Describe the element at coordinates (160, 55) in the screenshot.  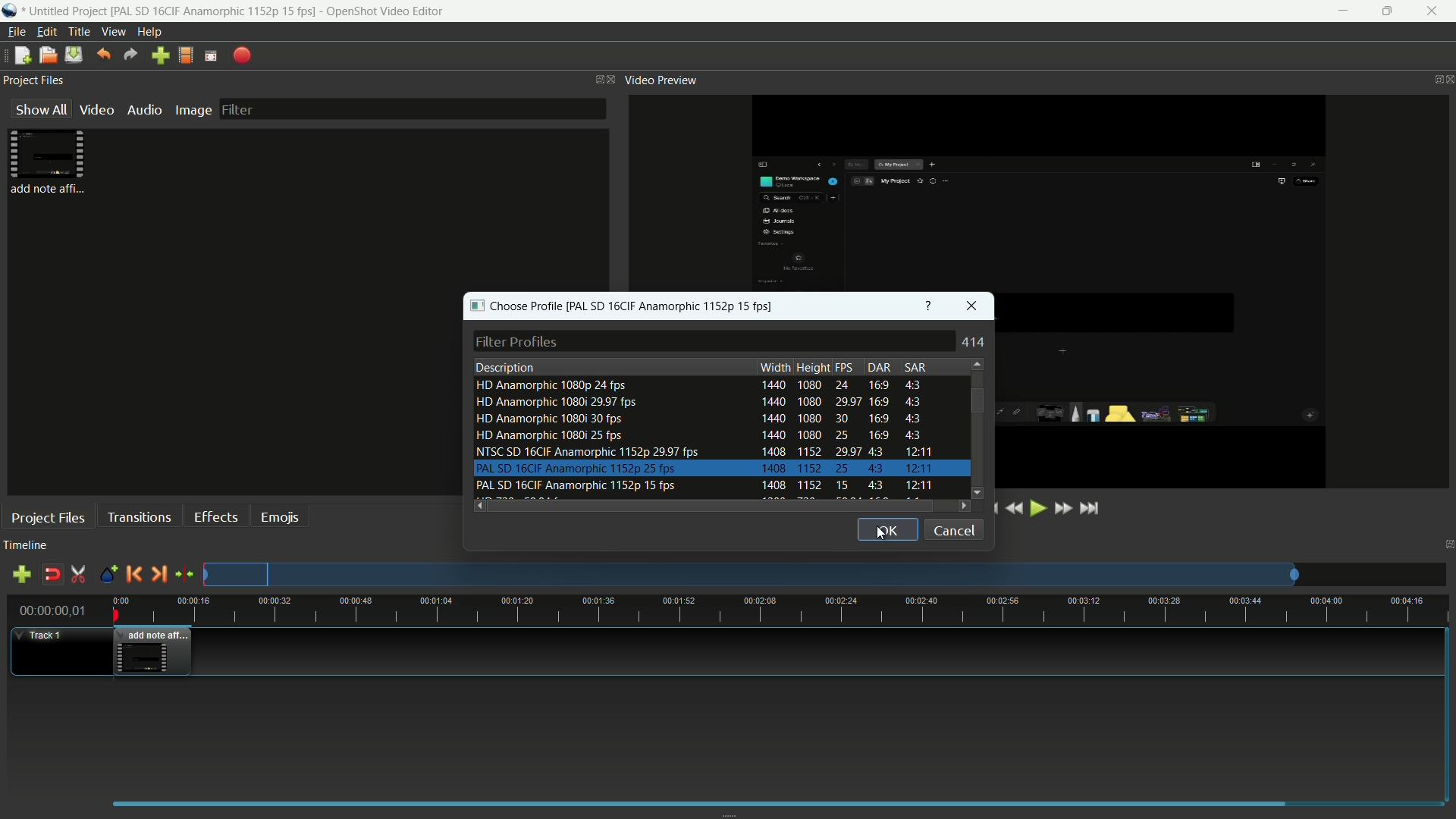
I see `import file` at that location.